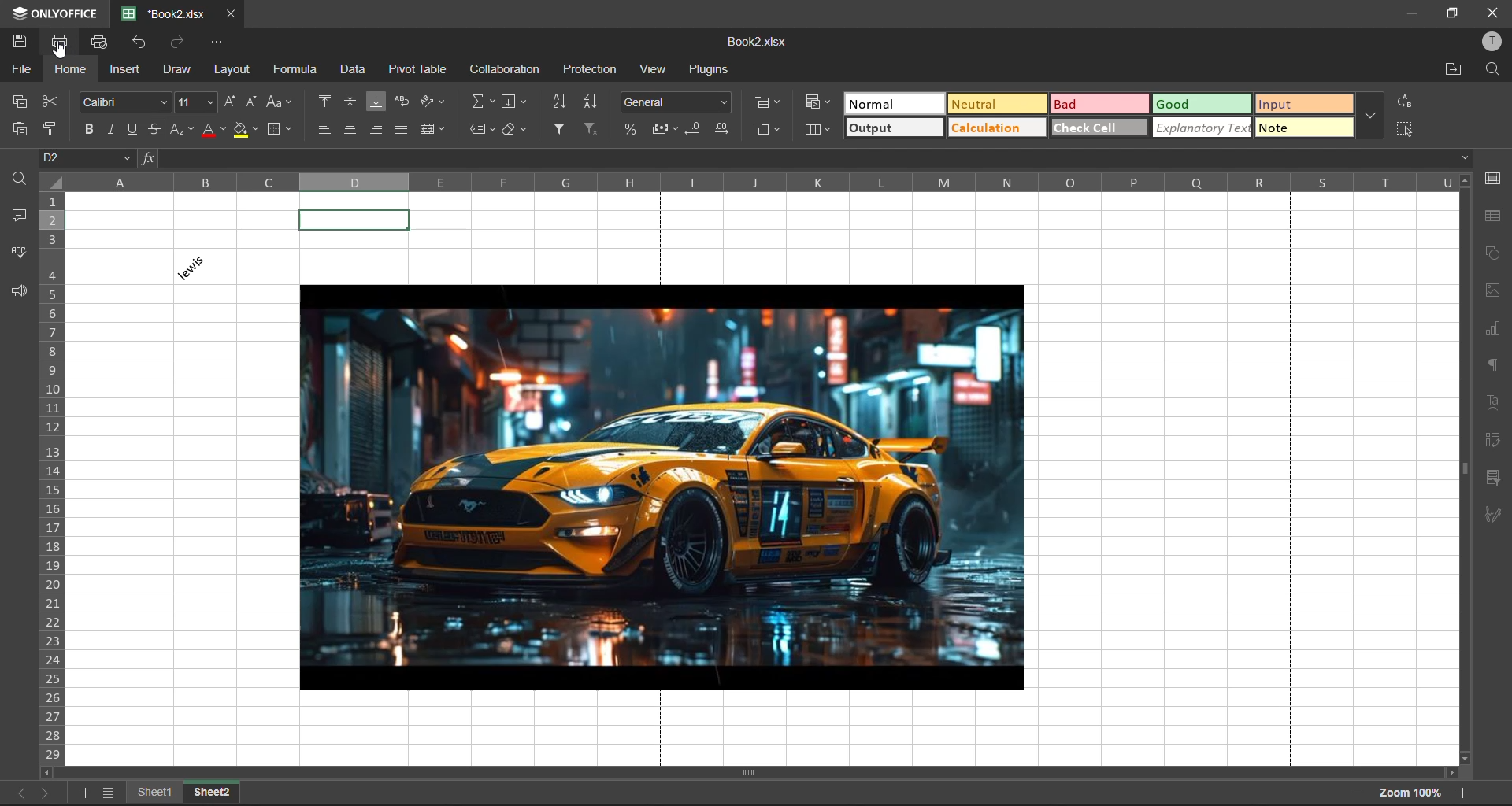 The image size is (1512, 806). What do you see at coordinates (326, 102) in the screenshot?
I see `align top` at bounding box center [326, 102].